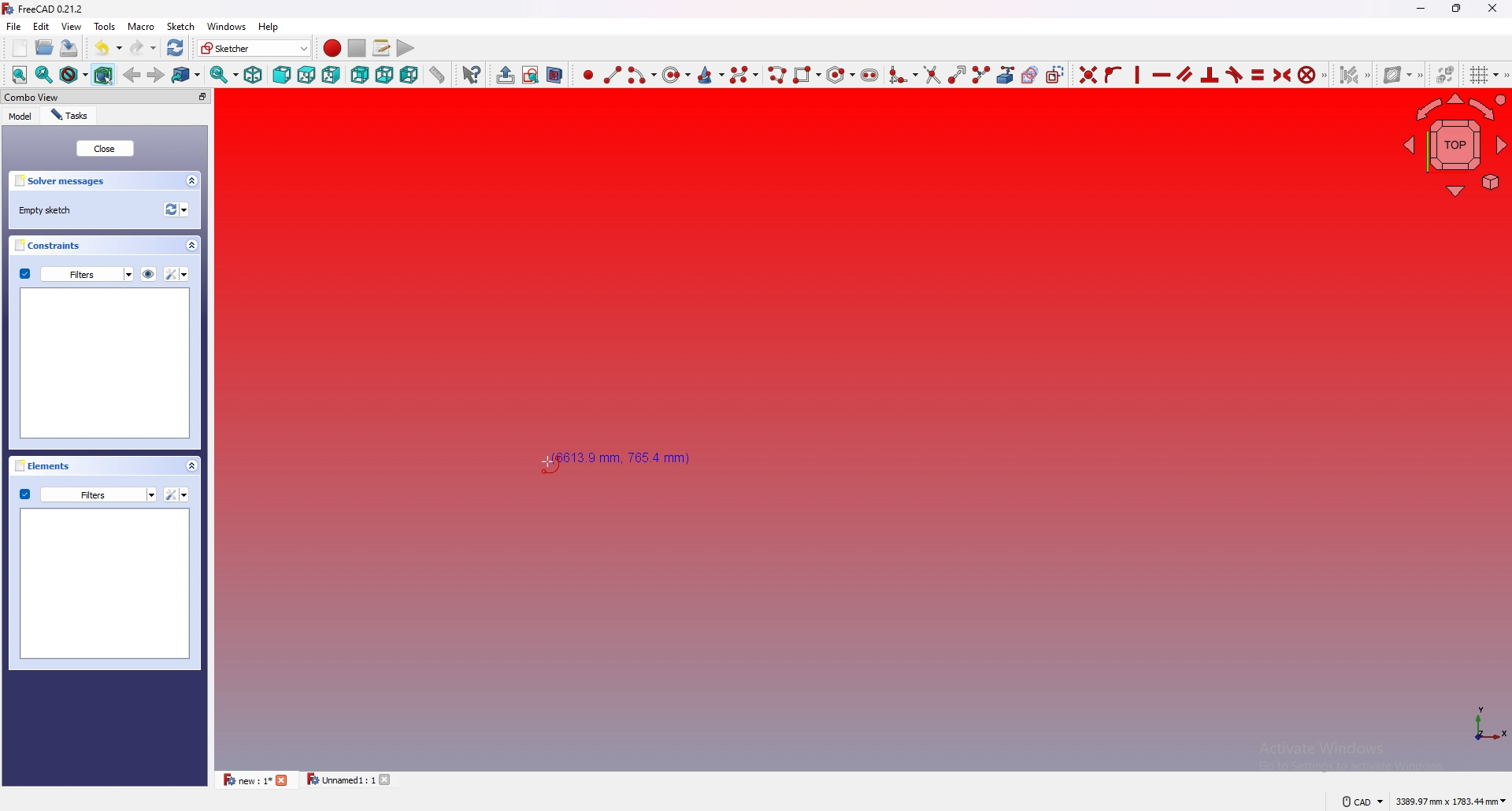 The width and height of the screenshot is (1512, 811). What do you see at coordinates (44, 26) in the screenshot?
I see `edit` at bounding box center [44, 26].